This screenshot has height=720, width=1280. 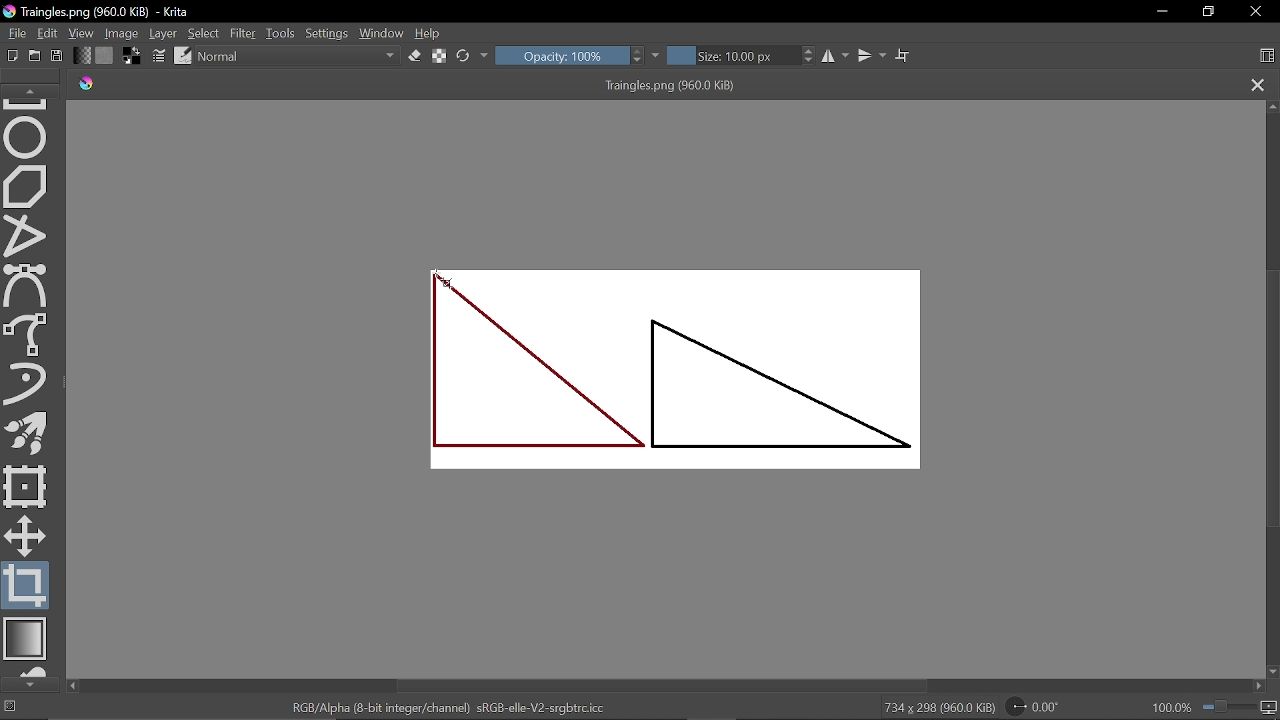 I want to click on Layer, so click(x=164, y=33).